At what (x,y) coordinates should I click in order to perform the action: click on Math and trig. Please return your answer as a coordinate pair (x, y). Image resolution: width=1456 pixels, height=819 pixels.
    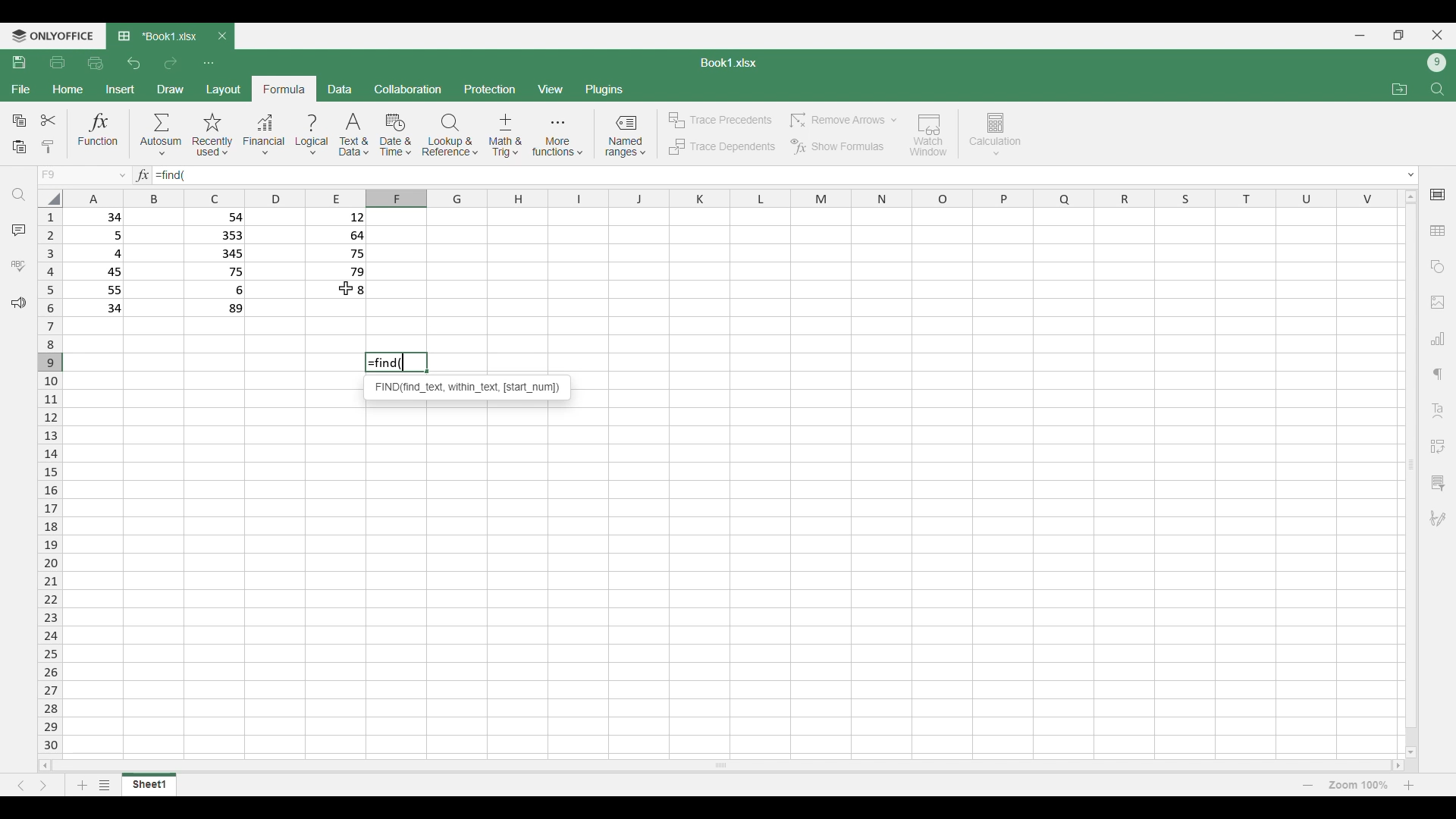
    Looking at the image, I should click on (505, 135).